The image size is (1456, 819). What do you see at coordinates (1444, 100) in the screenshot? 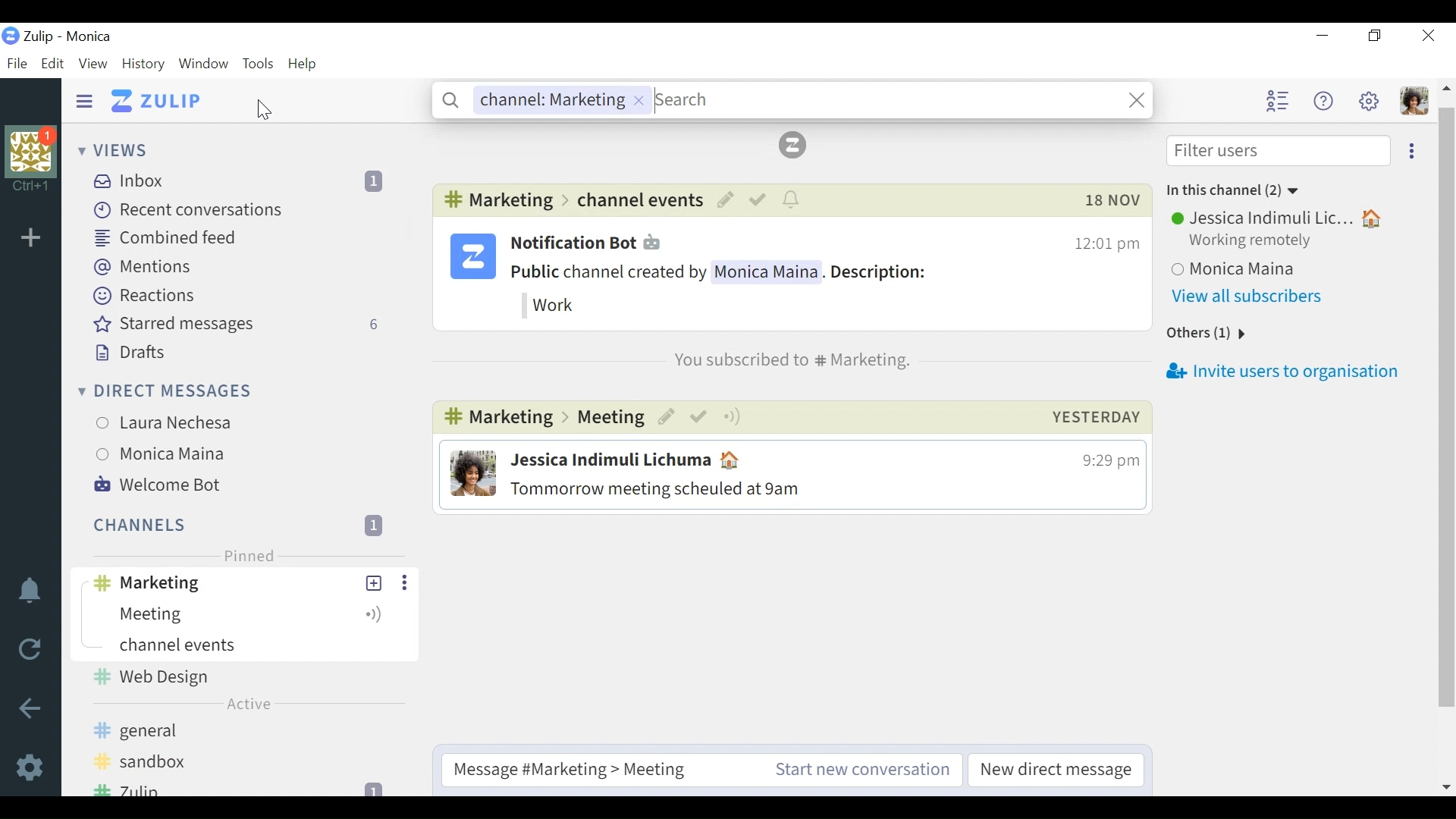
I see `scroll arrow` at bounding box center [1444, 100].